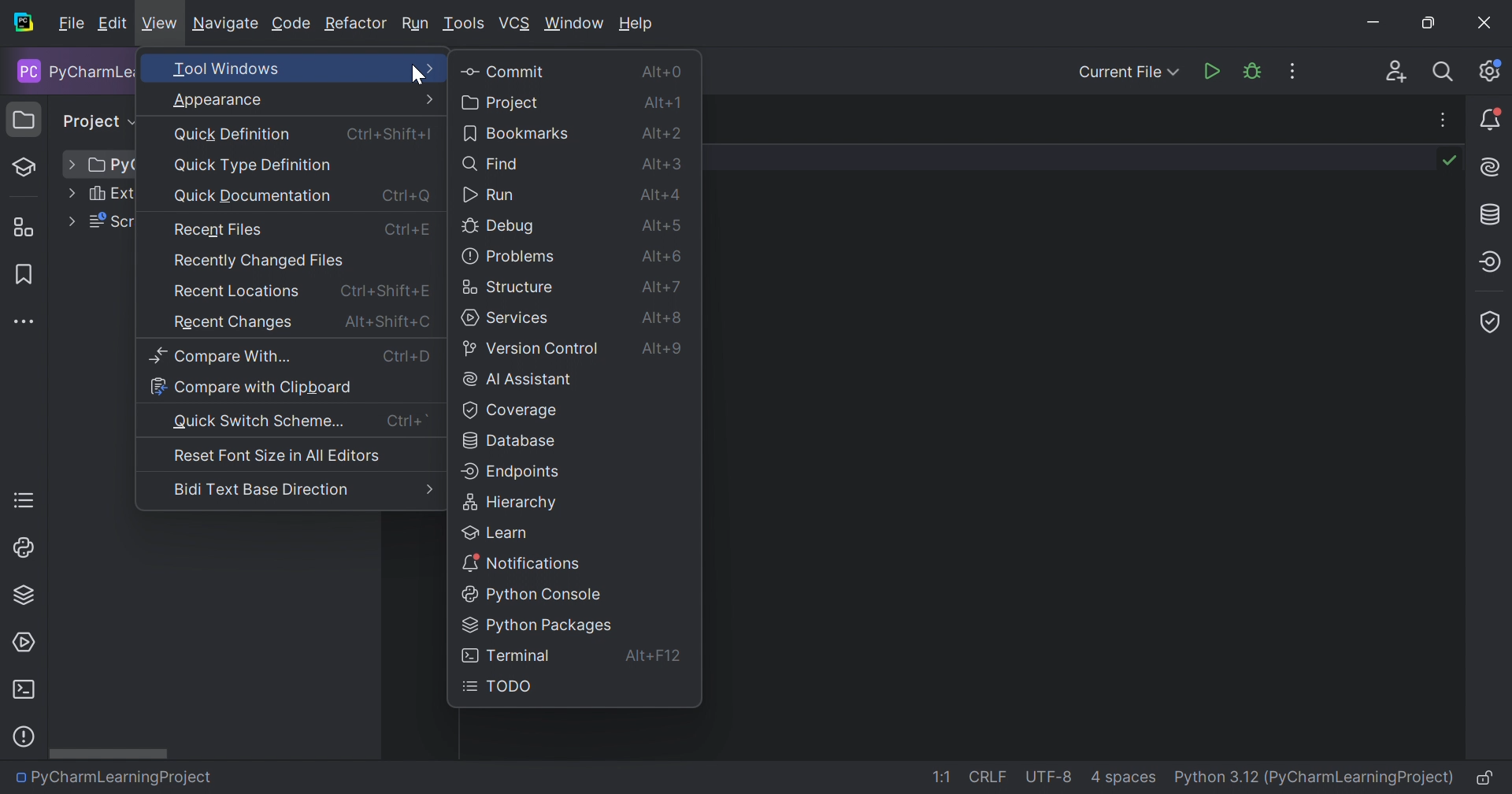 The image size is (1512, 794). Describe the element at coordinates (1482, 21) in the screenshot. I see `Close` at that location.